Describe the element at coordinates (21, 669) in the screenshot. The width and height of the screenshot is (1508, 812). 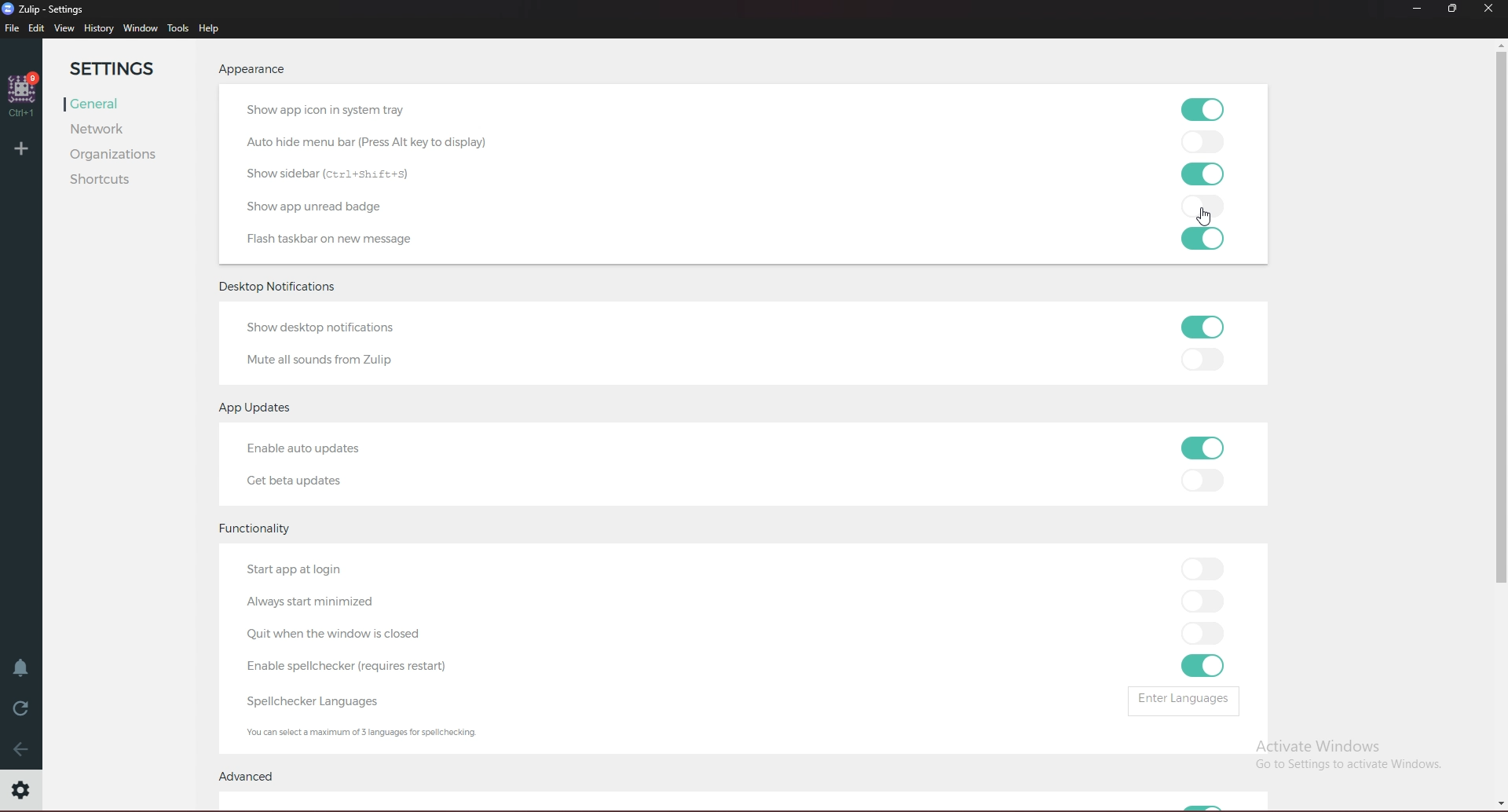
I see `Enable do not disturb` at that location.